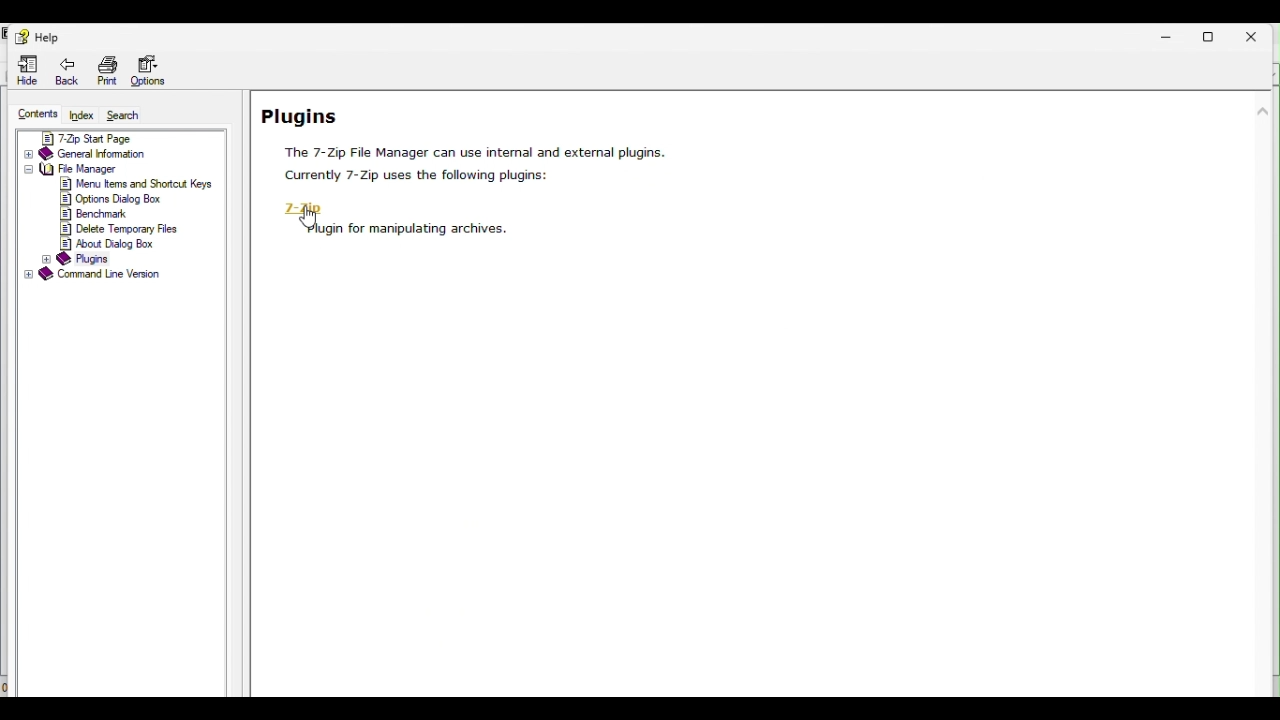 The image size is (1280, 720). Describe the element at coordinates (36, 112) in the screenshot. I see `Content ` at that location.